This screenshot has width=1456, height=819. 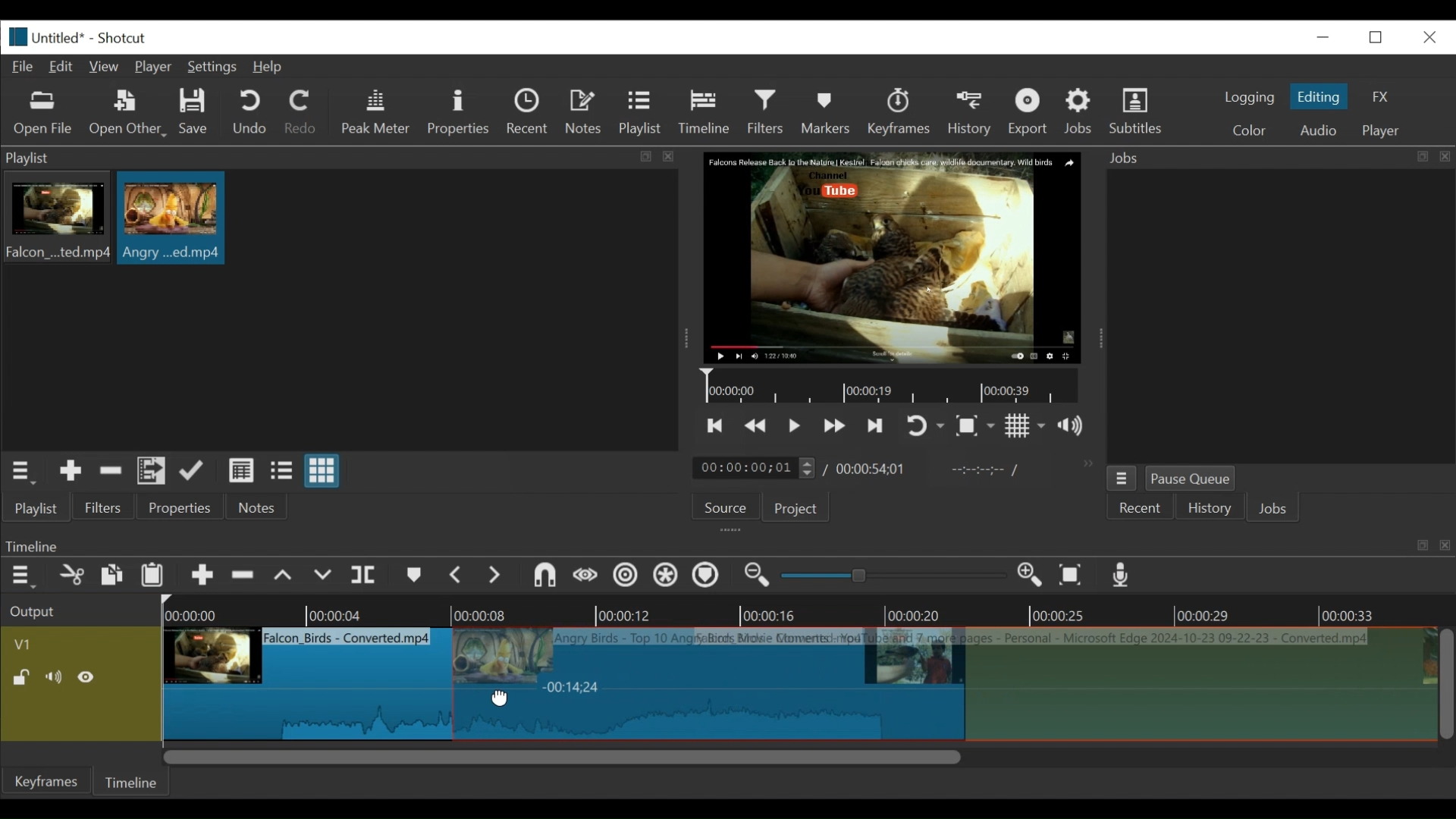 What do you see at coordinates (158, 577) in the screenshot?
I see `Paste` at bounding box center [158, 577].